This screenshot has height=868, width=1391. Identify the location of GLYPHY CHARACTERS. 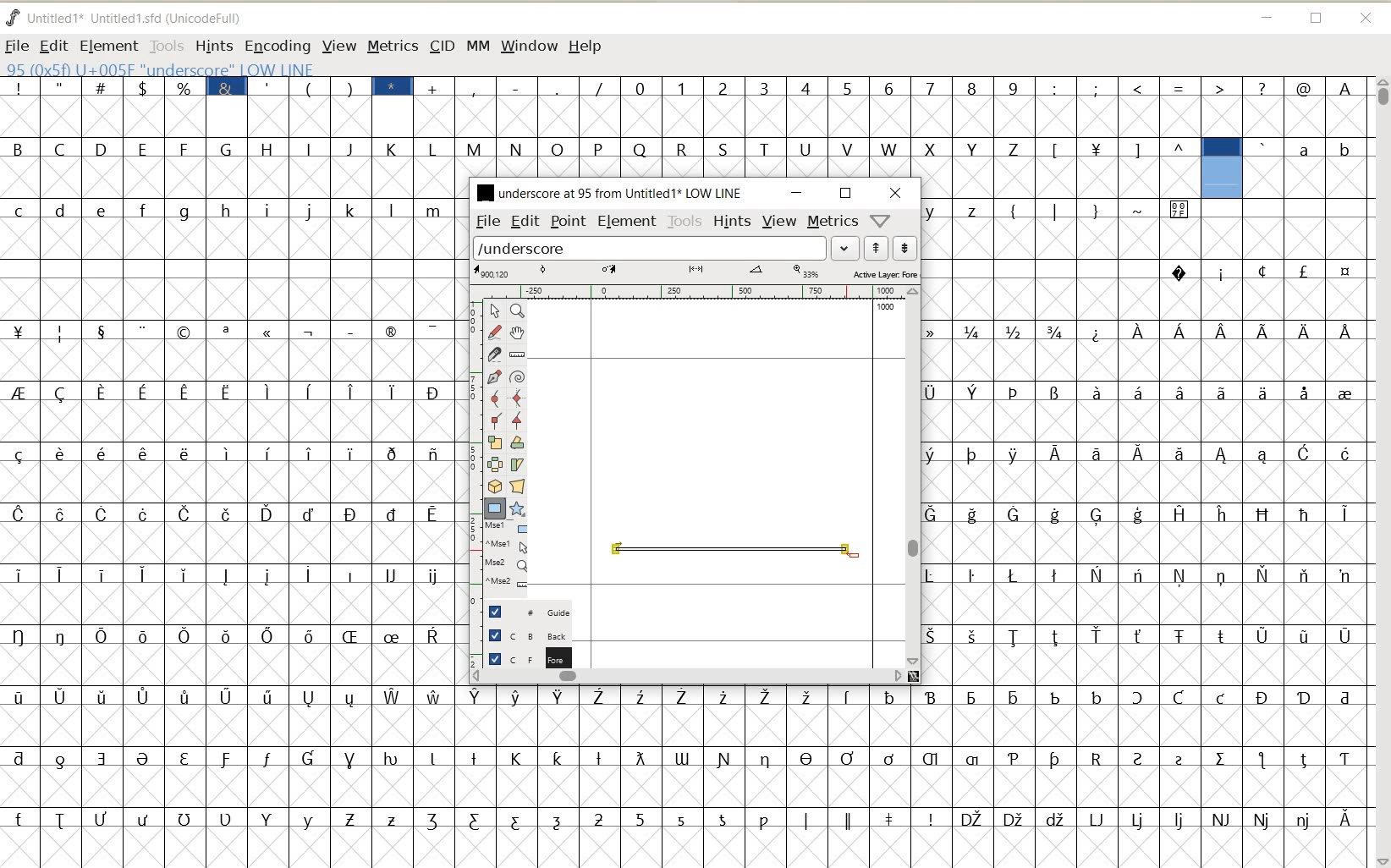
(1311, 167).